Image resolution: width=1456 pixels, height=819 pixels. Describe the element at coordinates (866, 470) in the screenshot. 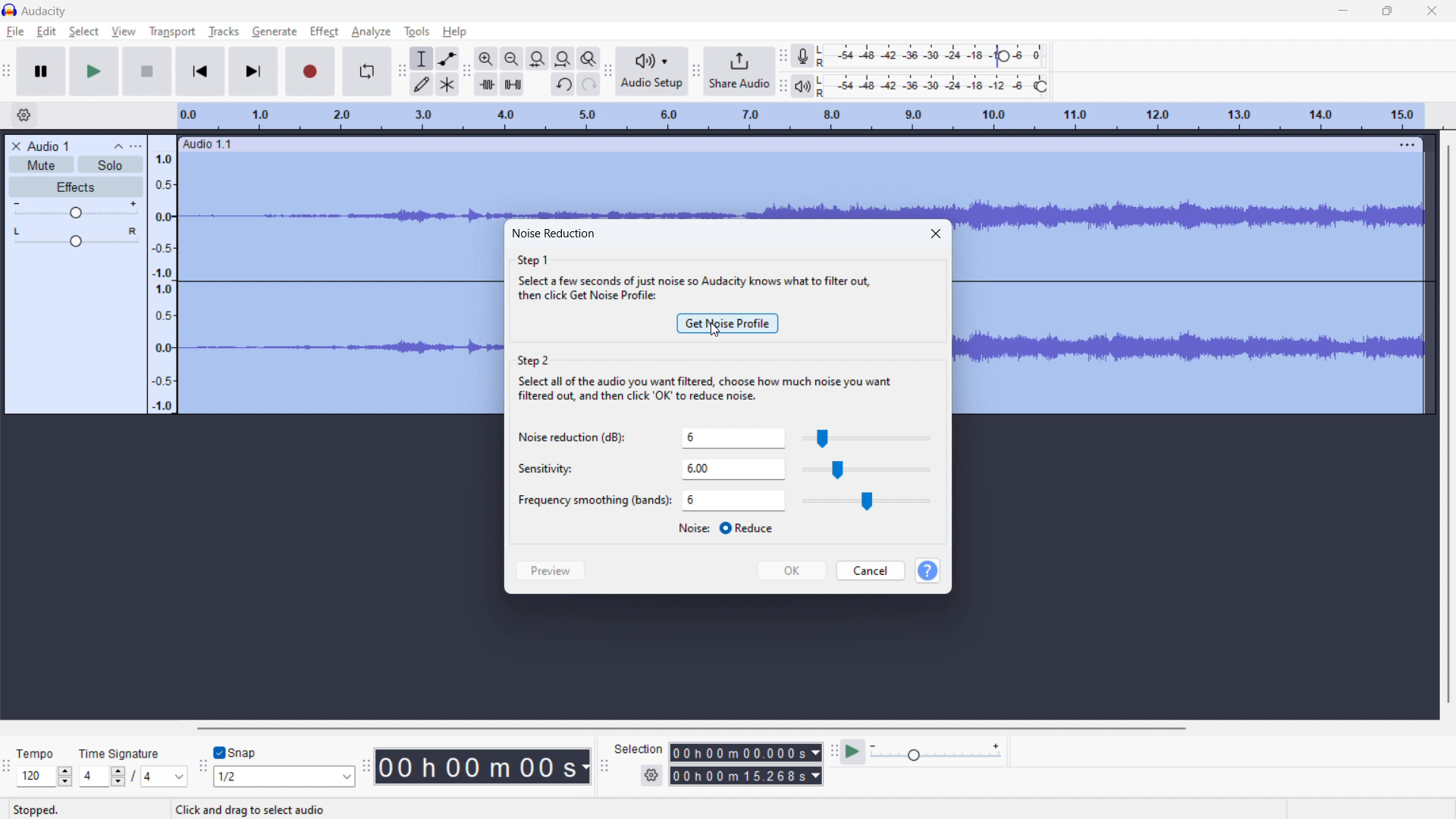

I see `slider for sensitivity` at that location.